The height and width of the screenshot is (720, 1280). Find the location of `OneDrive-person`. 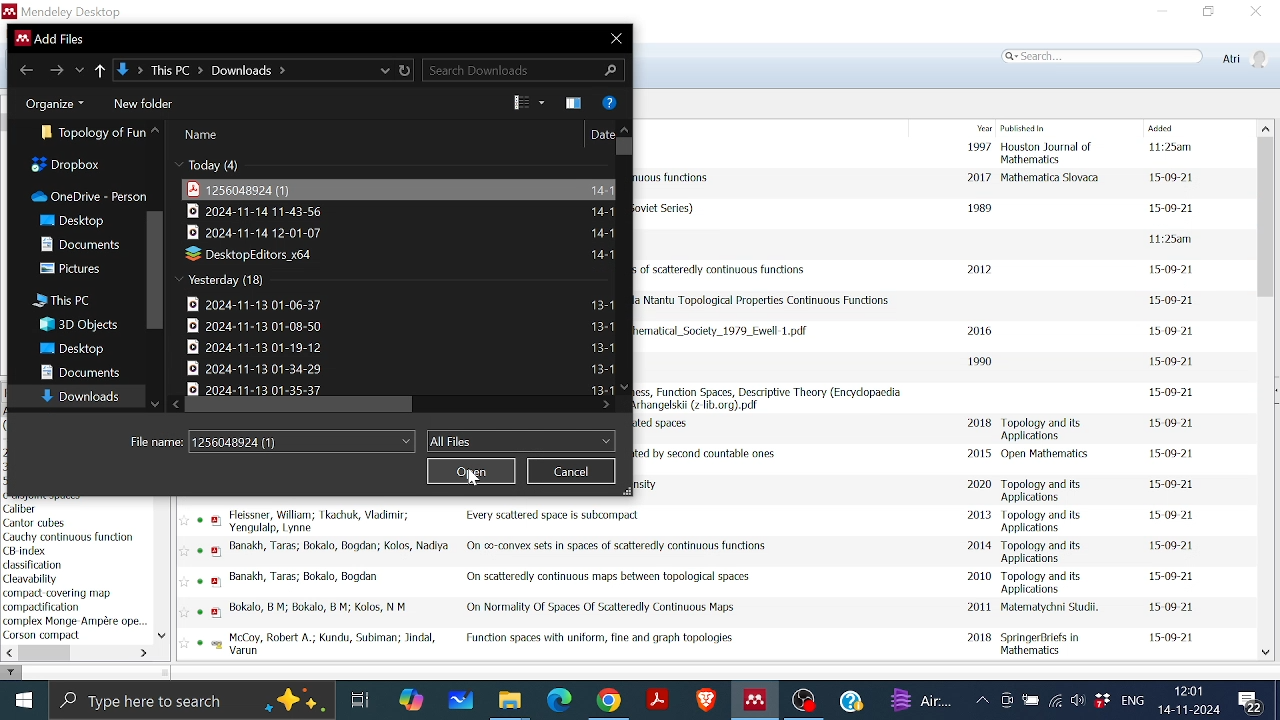

OneDrive-person is located at coordinates (90, 197).